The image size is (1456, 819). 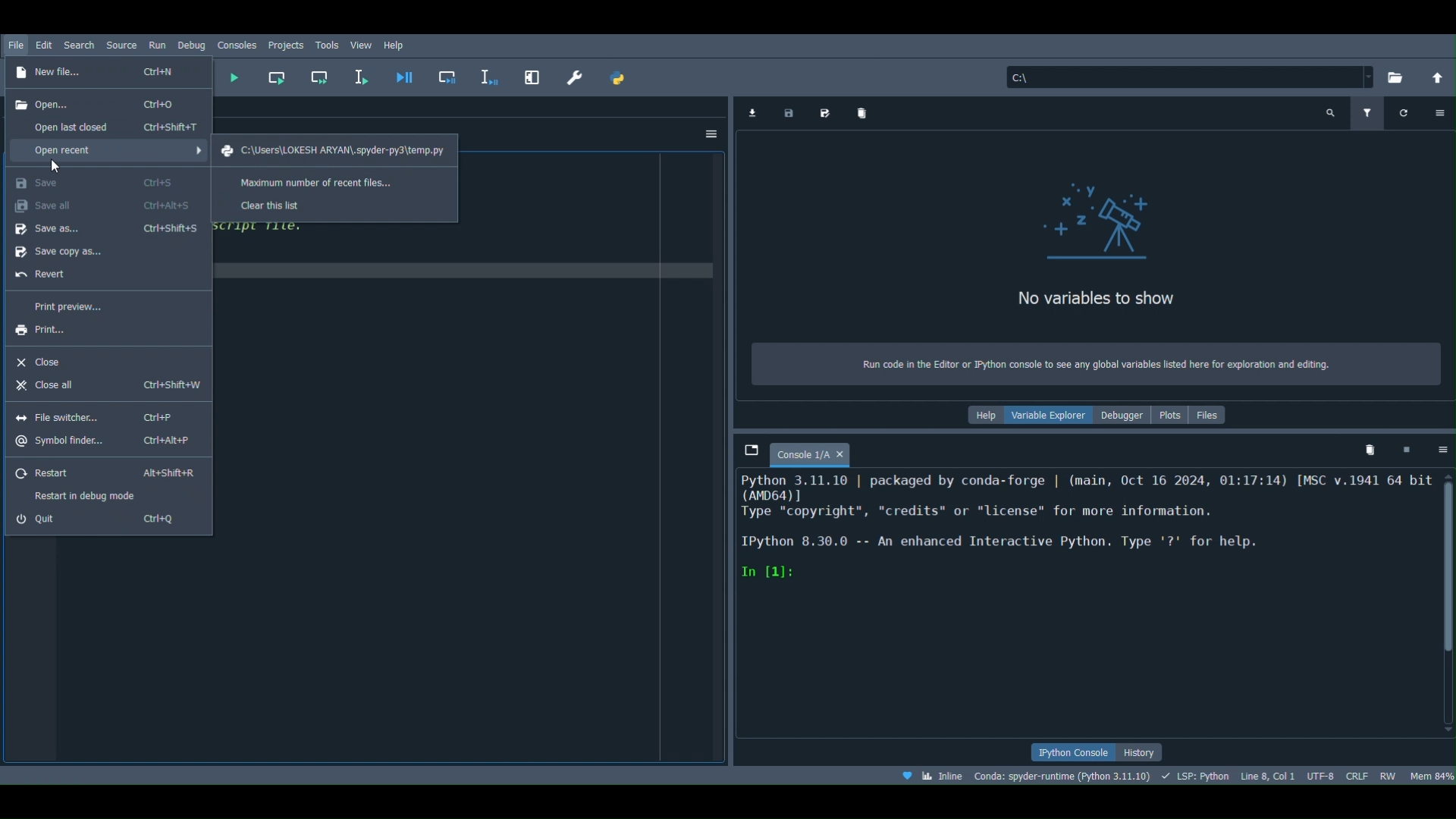 I want to click on Open last closed, so click(x=111, y=124).